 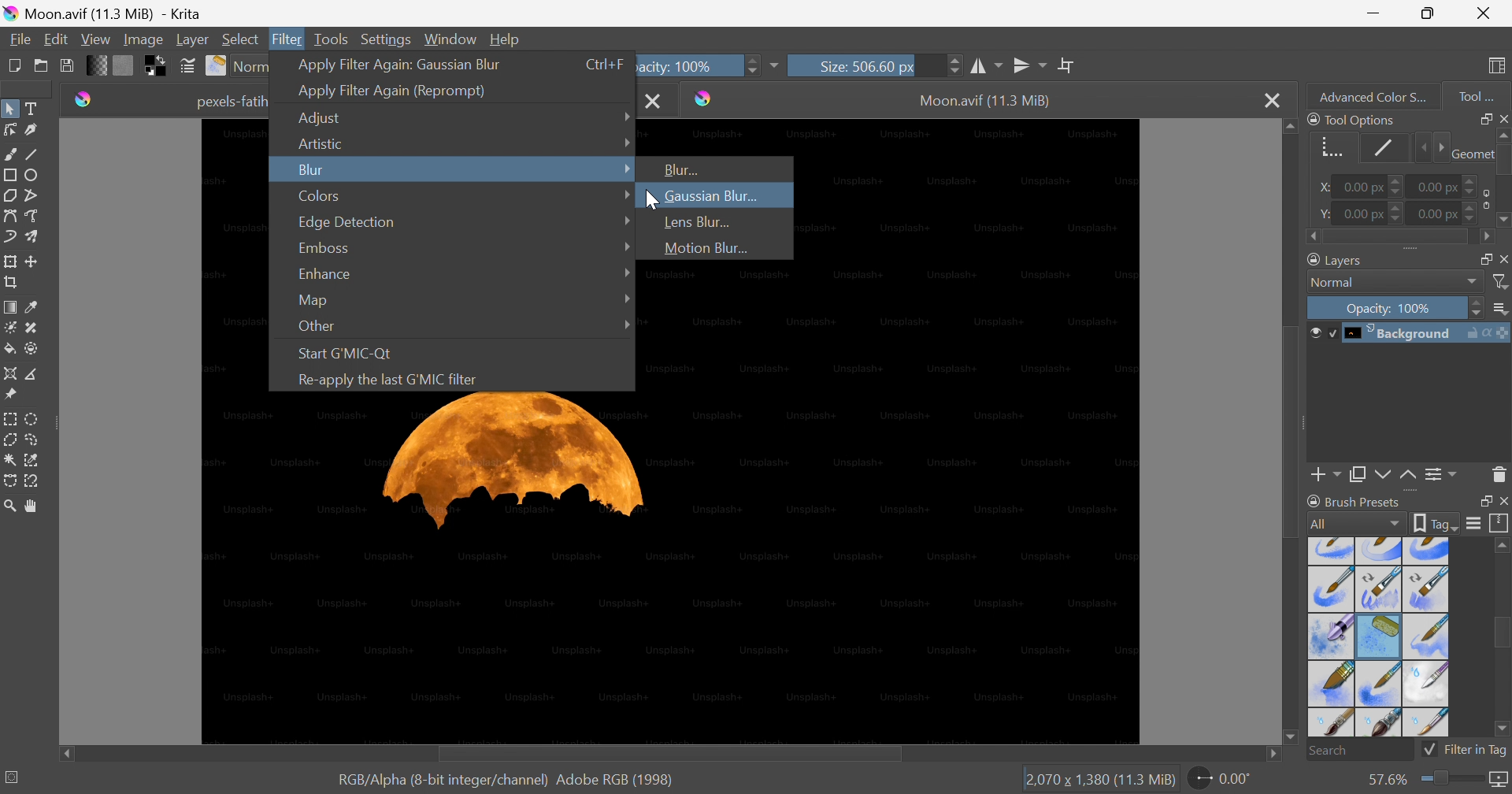 What do you see at coordinates (477, 167) in the screenshot?
I see `Selected option` at bounding box center [477, 167].